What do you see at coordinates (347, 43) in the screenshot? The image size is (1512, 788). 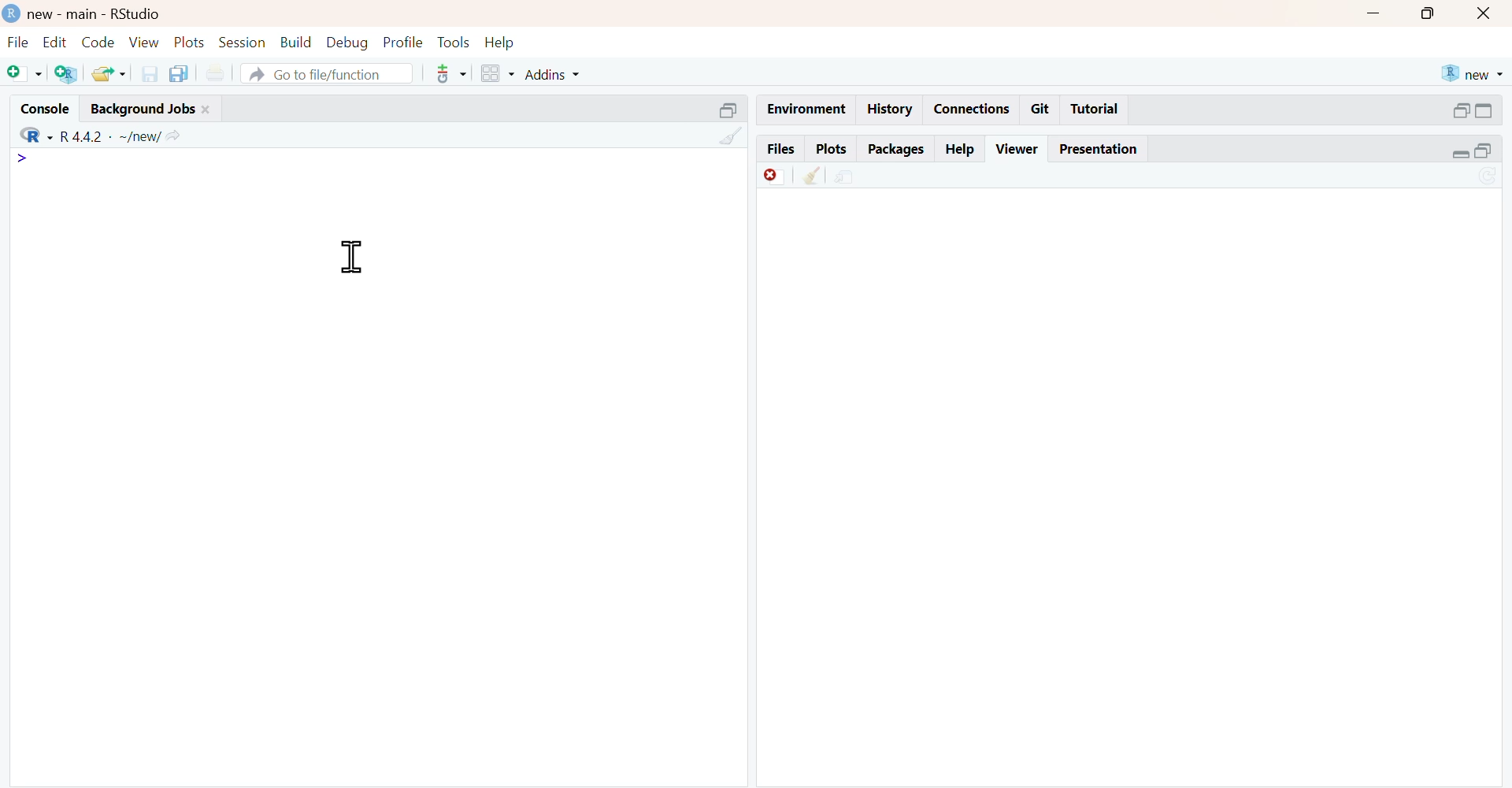 I see `debug` at bounding box center [347, 43].